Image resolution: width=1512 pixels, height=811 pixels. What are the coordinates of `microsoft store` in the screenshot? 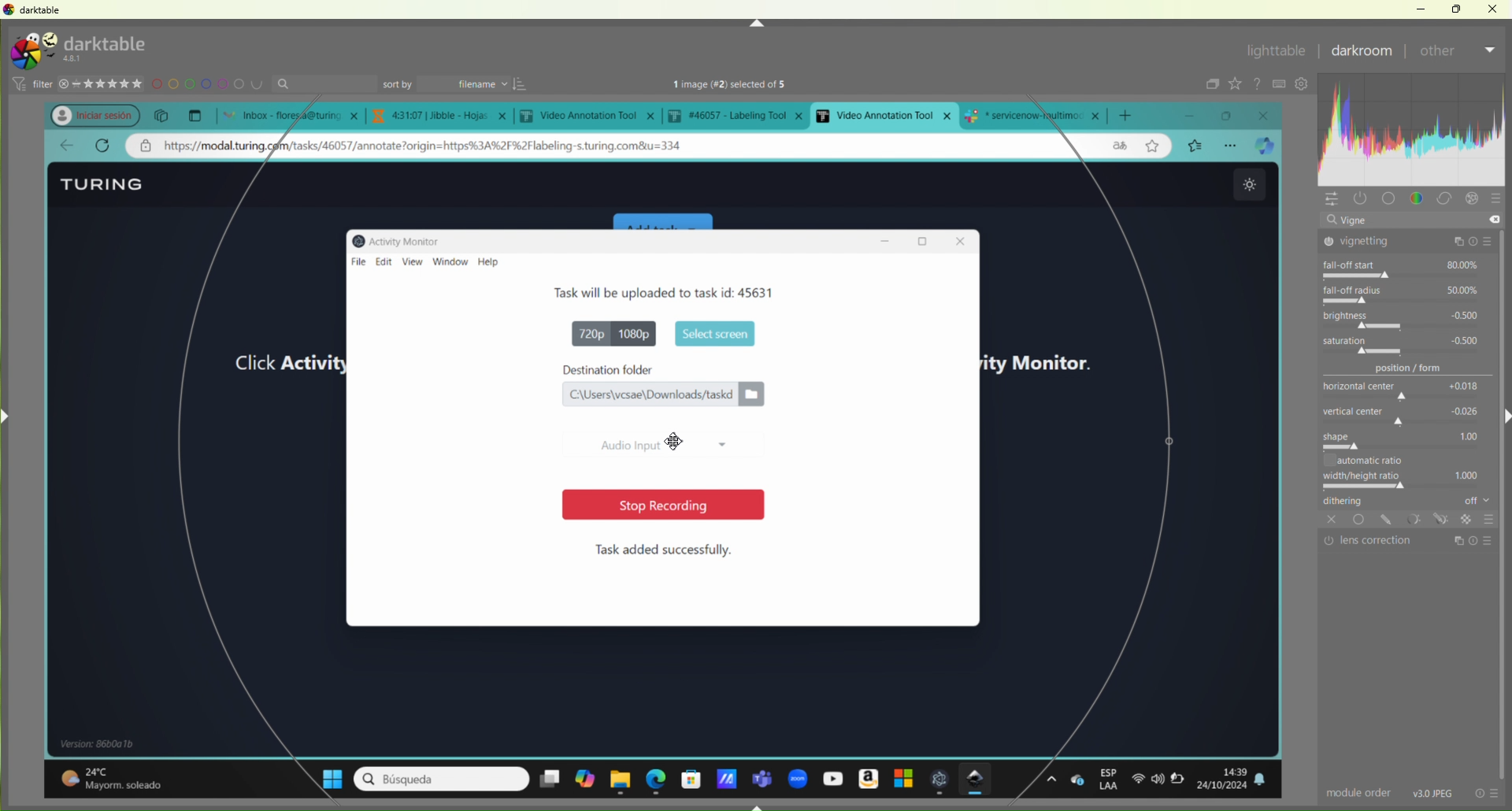 It's located at (691, 777).